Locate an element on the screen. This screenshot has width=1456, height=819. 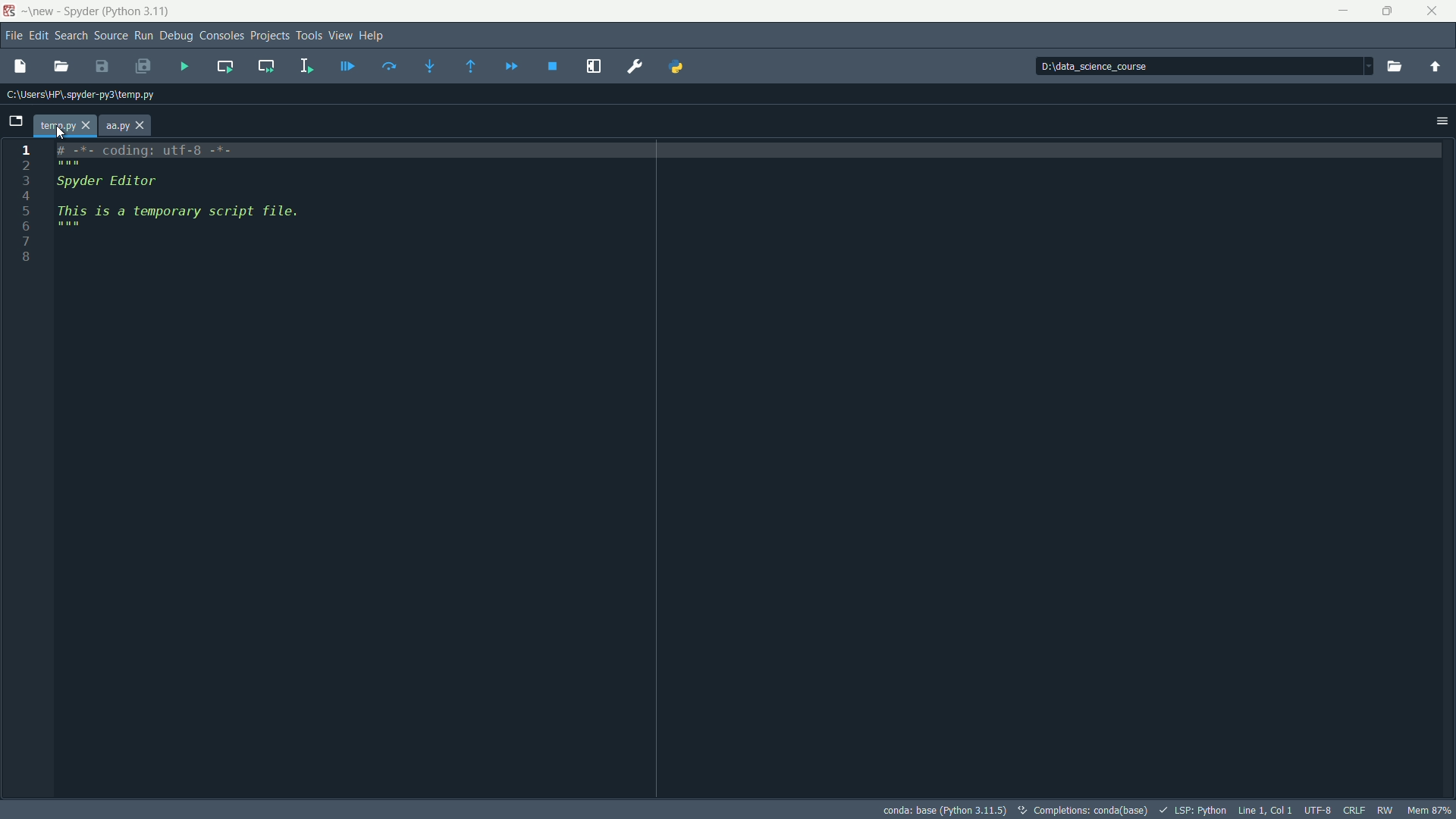
file encoding is located at coordinates (1319, 810).